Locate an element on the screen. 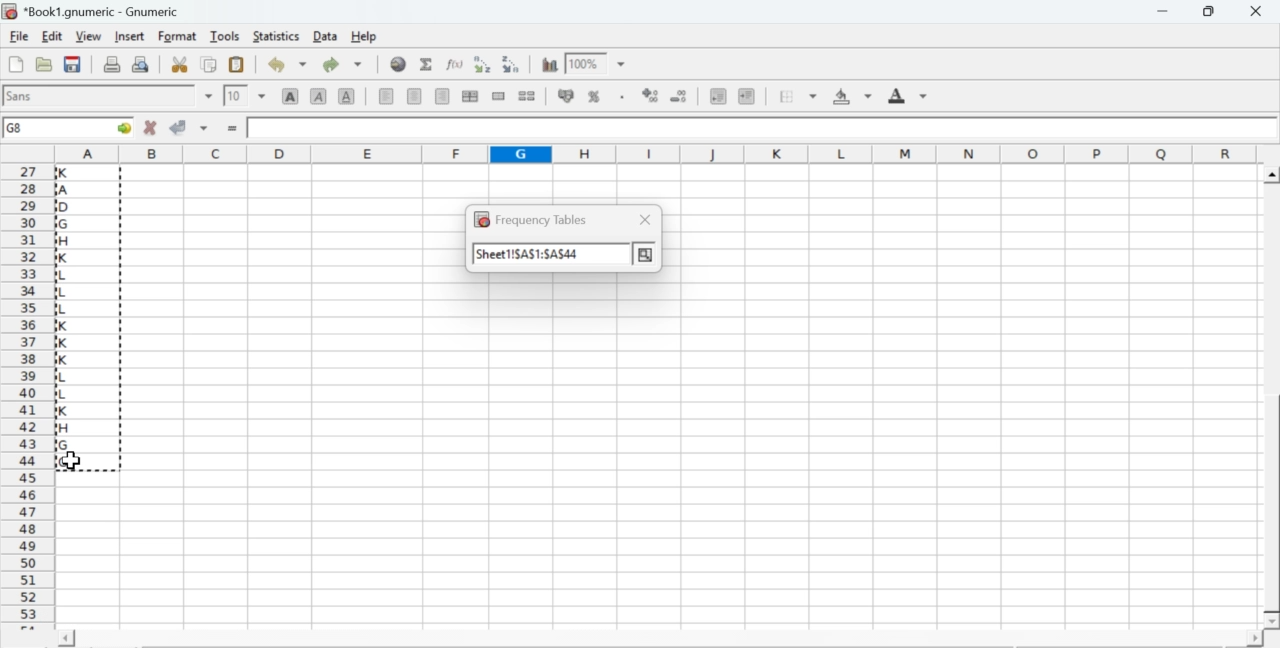  format is located at coordinates (178, 36).